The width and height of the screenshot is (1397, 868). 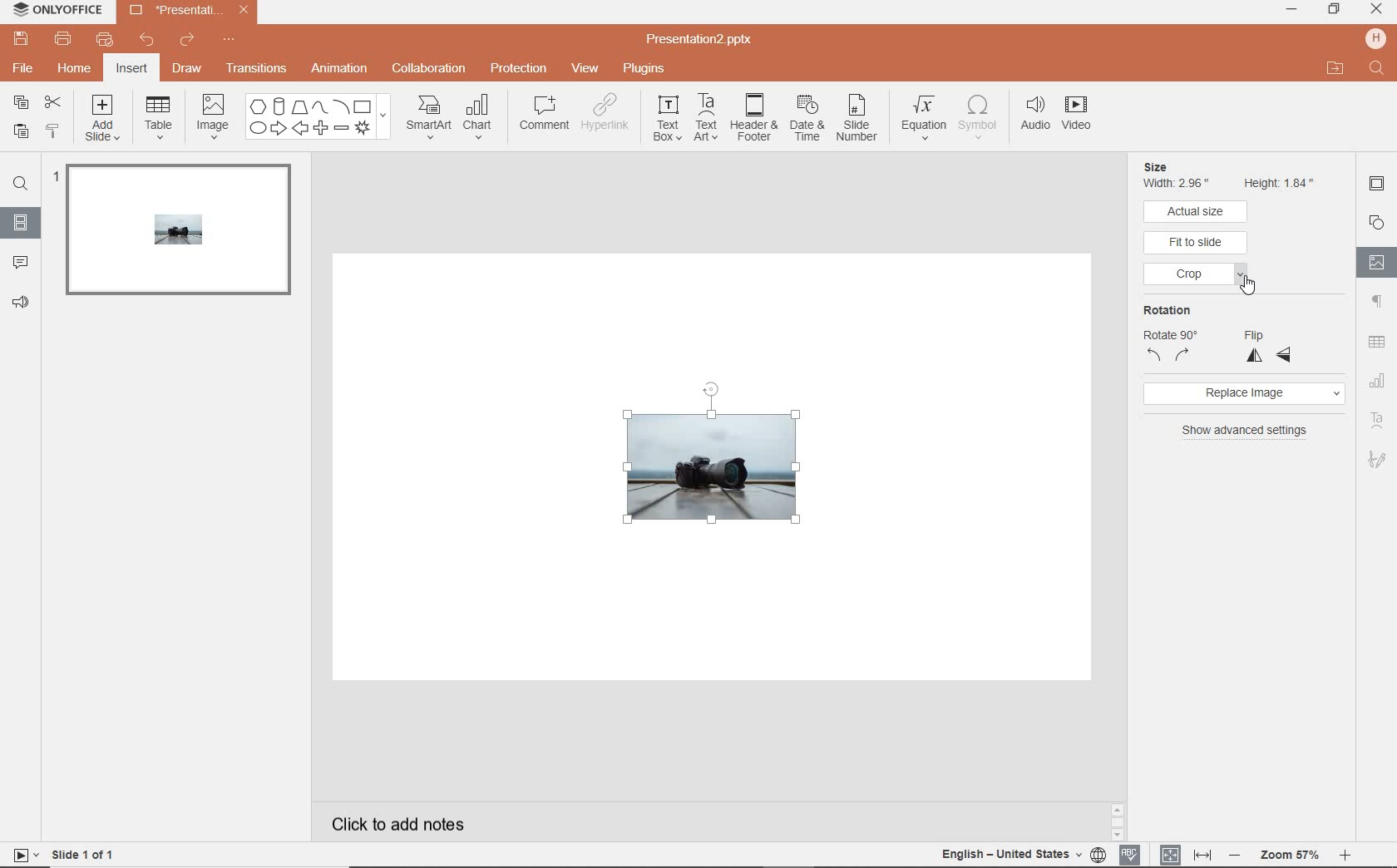 I want to click on Height 1.84", so click(x=1281, y=181).